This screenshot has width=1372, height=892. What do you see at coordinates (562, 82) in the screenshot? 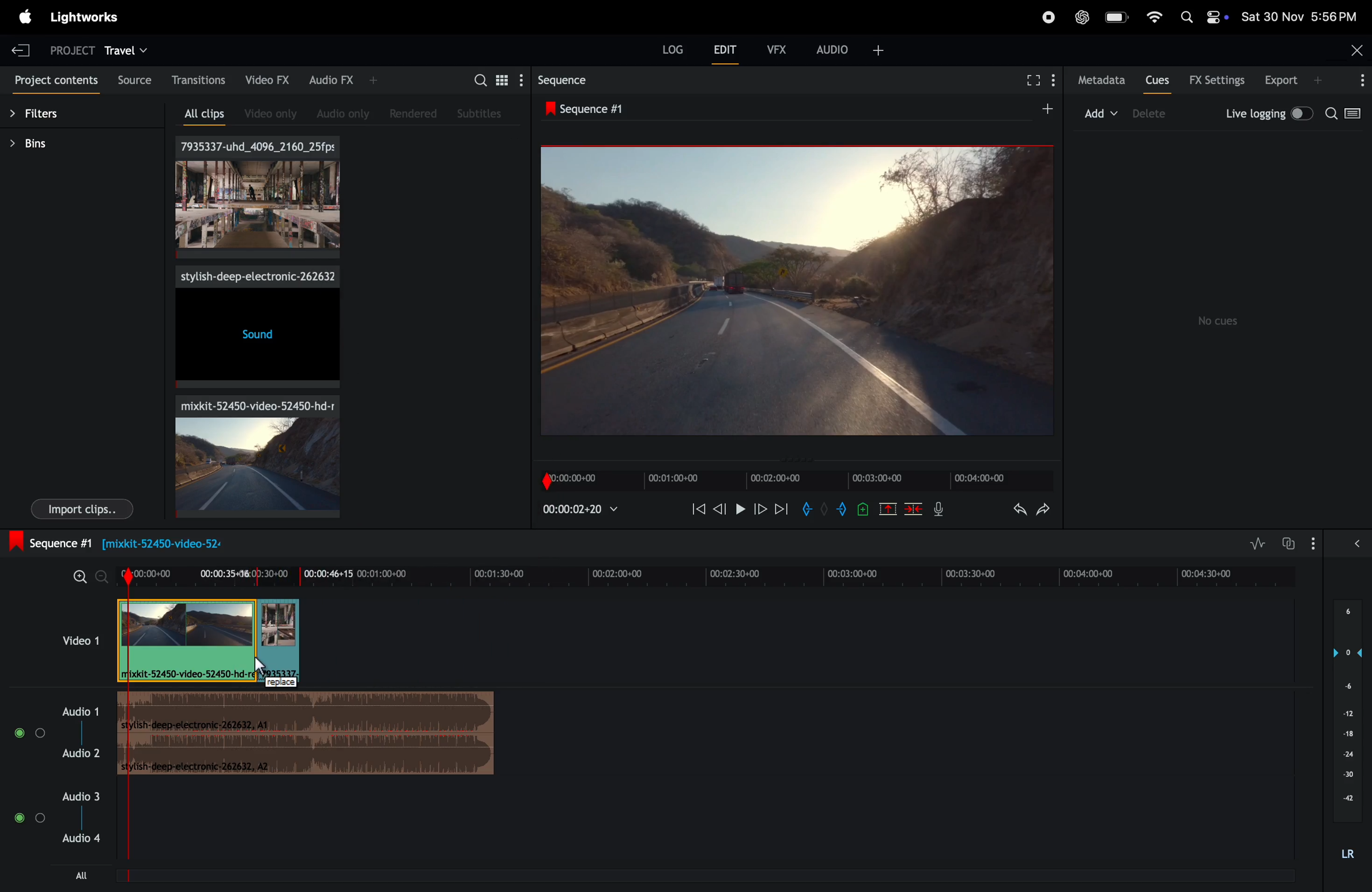
I see `sequence` at bounding box center [562, 82].